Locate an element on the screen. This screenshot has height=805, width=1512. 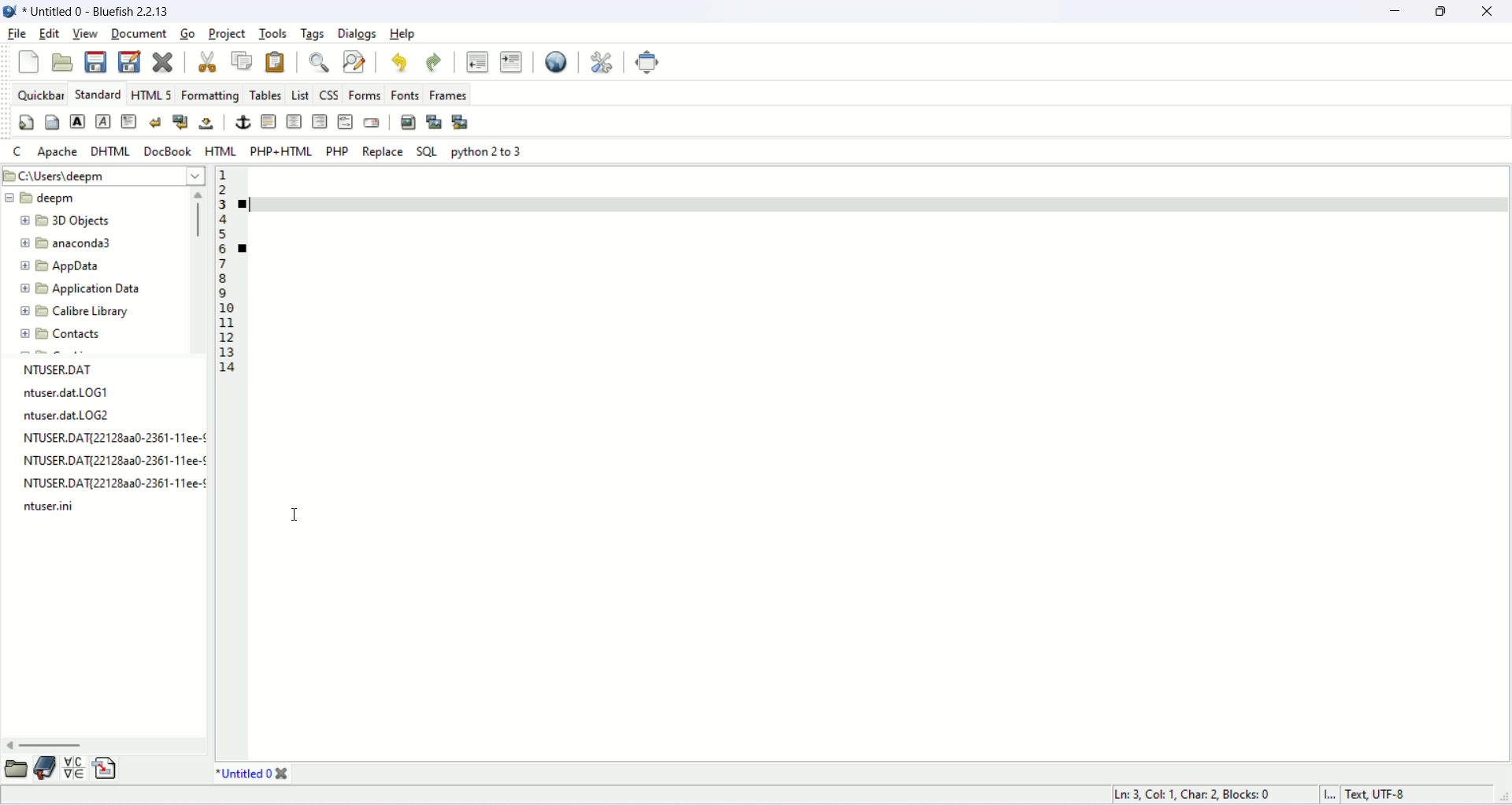
3D Objects is located at coordinates (74, 221).